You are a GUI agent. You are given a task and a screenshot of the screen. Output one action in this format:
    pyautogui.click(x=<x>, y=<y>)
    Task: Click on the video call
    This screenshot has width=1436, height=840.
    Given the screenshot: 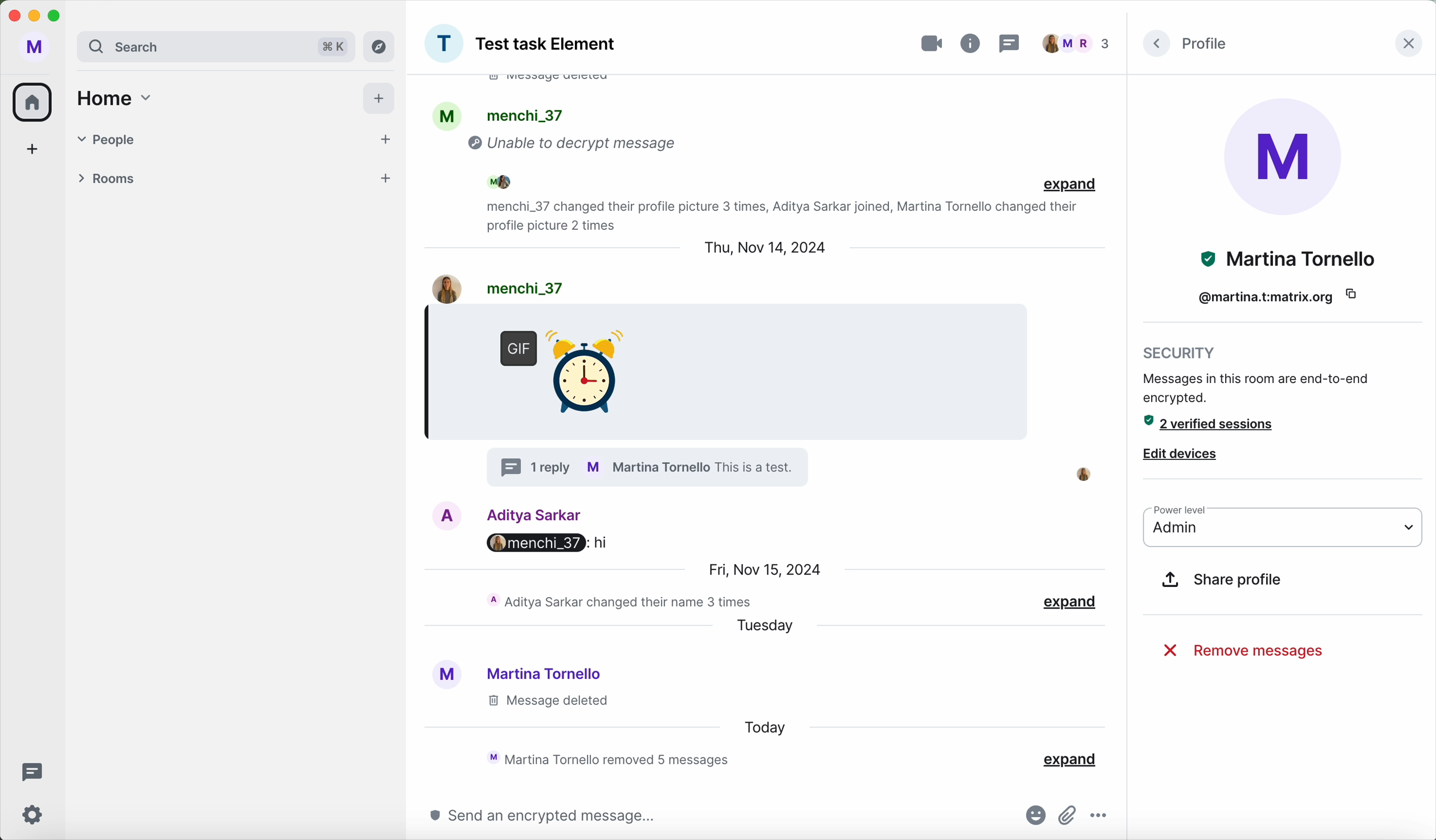 What is the action you would take?
    pyautogui.click(x=932, y=40)
    